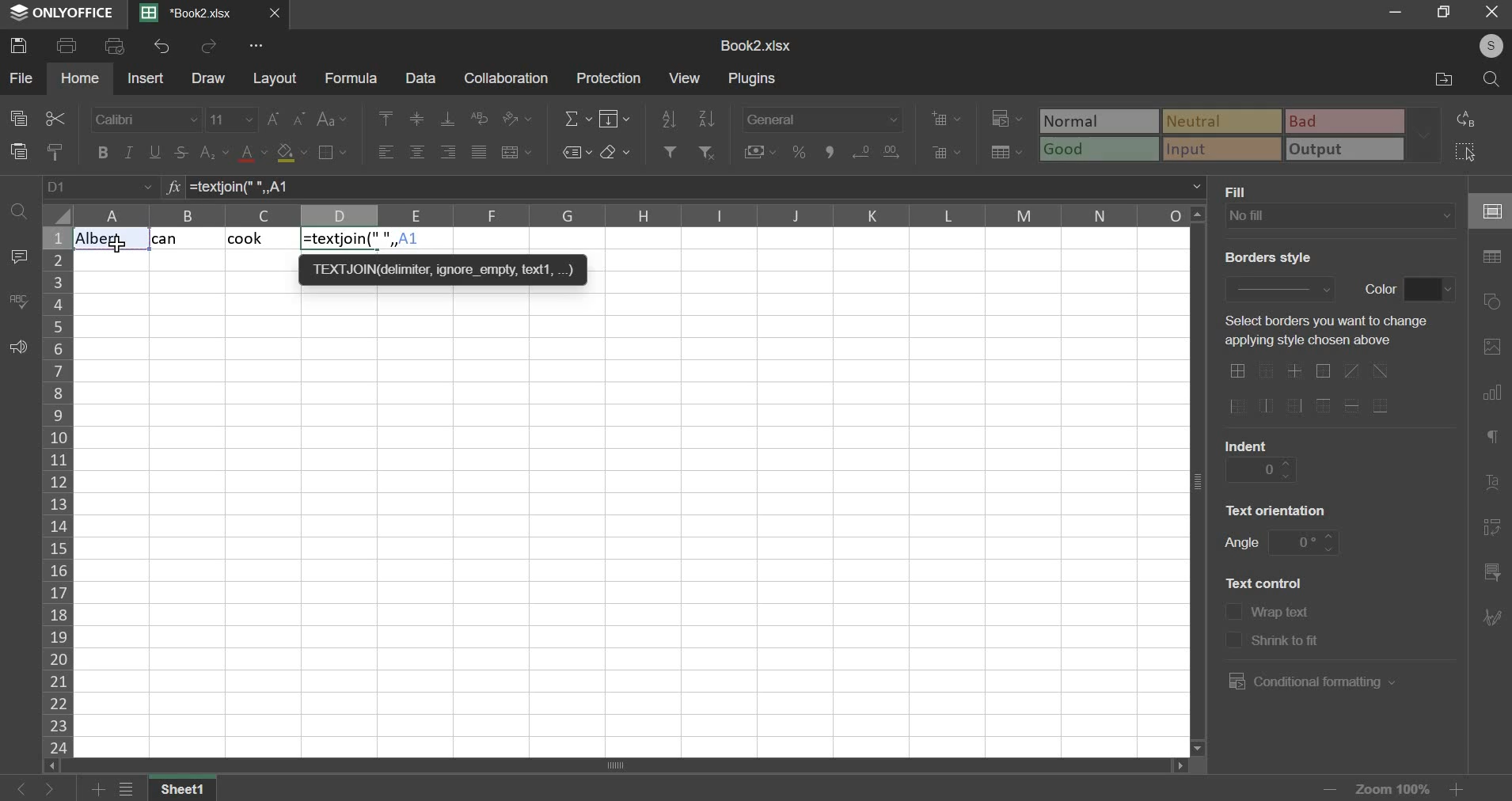  What do you see at coordinates (145, 78) in the screenshot?
I see `insert` at bounding box center [145, 78].